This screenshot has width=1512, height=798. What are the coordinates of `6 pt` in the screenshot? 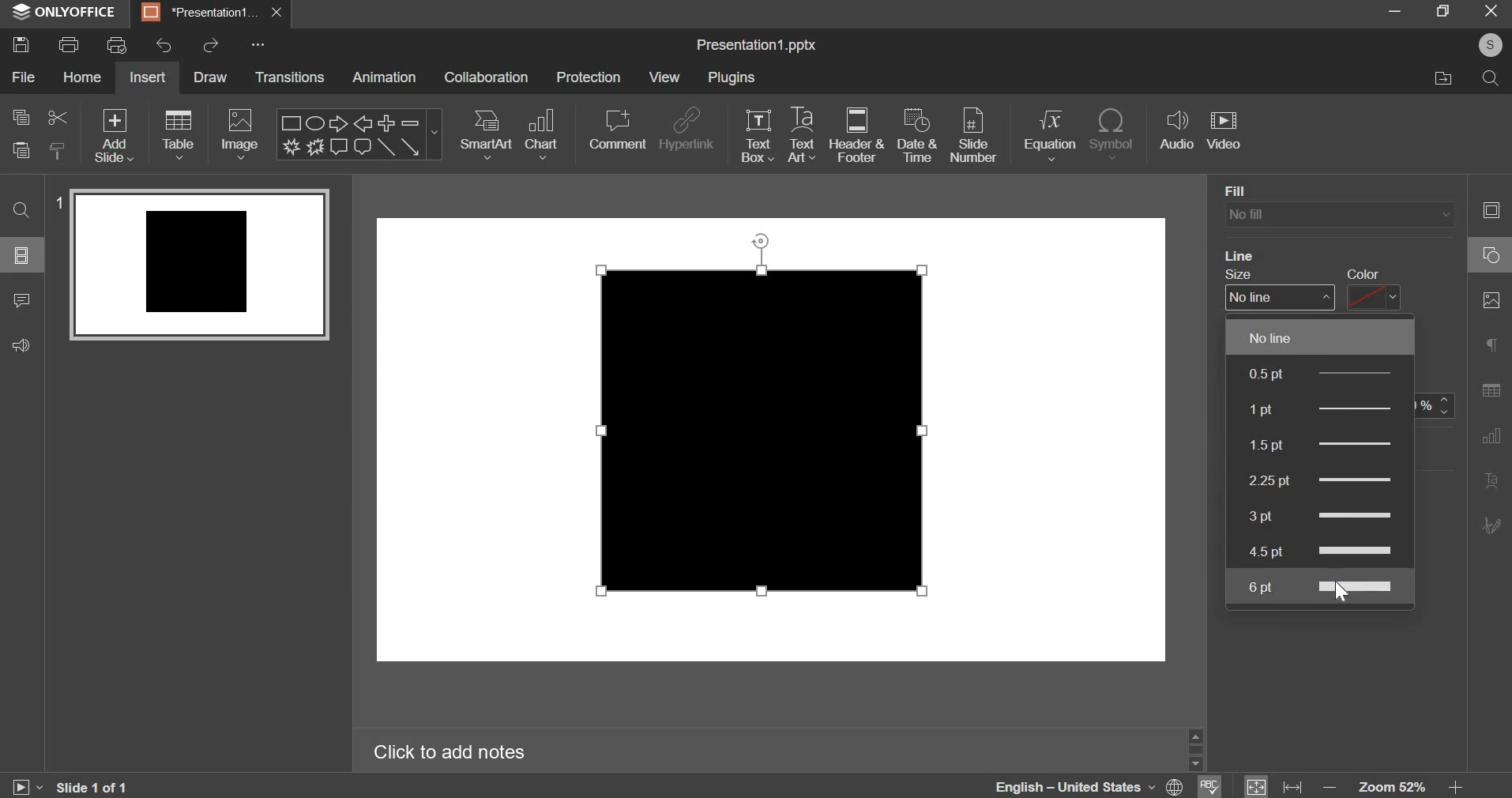 It's located at (1327, 588).